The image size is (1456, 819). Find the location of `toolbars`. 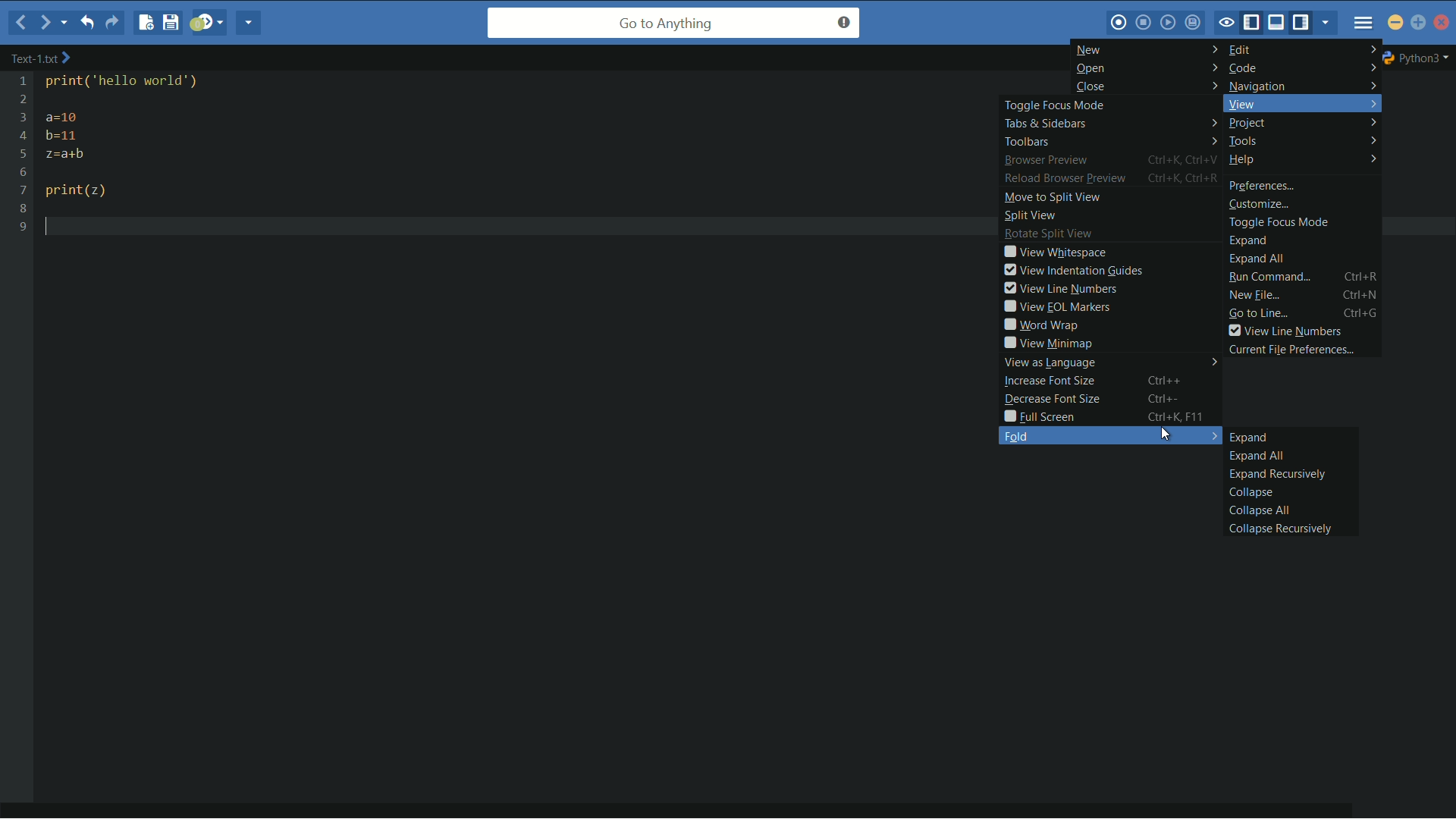

toolbars is located at coordinates (1111, 142).